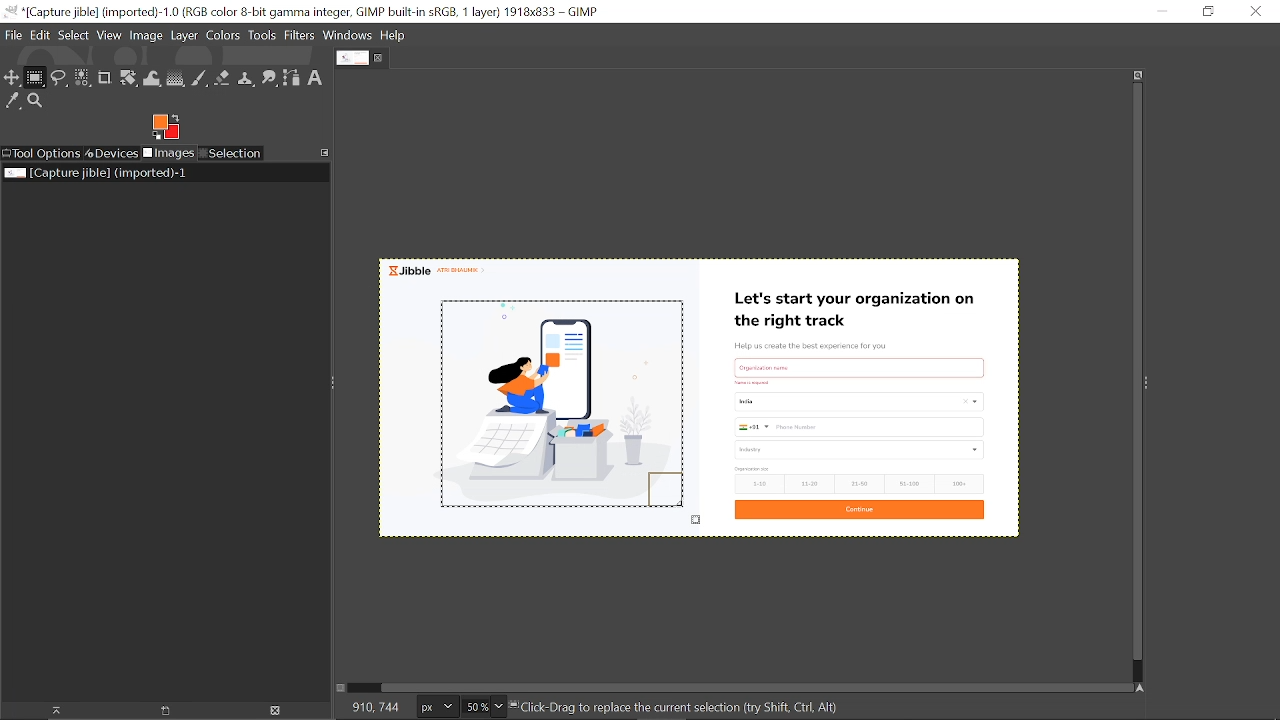 The height and width of the screenshot is (720, 1280). I want to click on Restore down, so click(1202, 12).